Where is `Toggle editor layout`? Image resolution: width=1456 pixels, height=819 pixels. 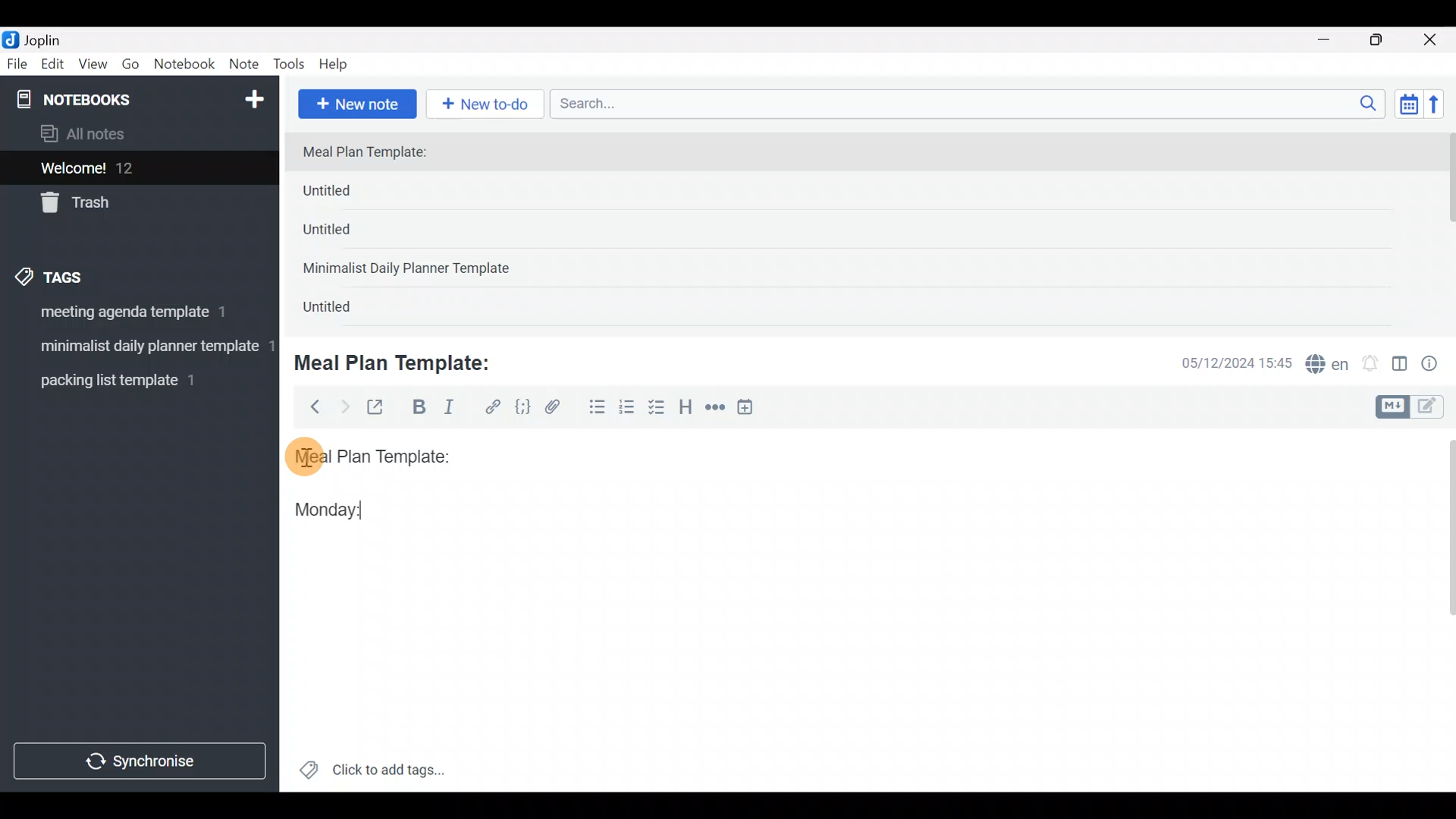 Toggle editor layout is located at coordinates (1401, 366).